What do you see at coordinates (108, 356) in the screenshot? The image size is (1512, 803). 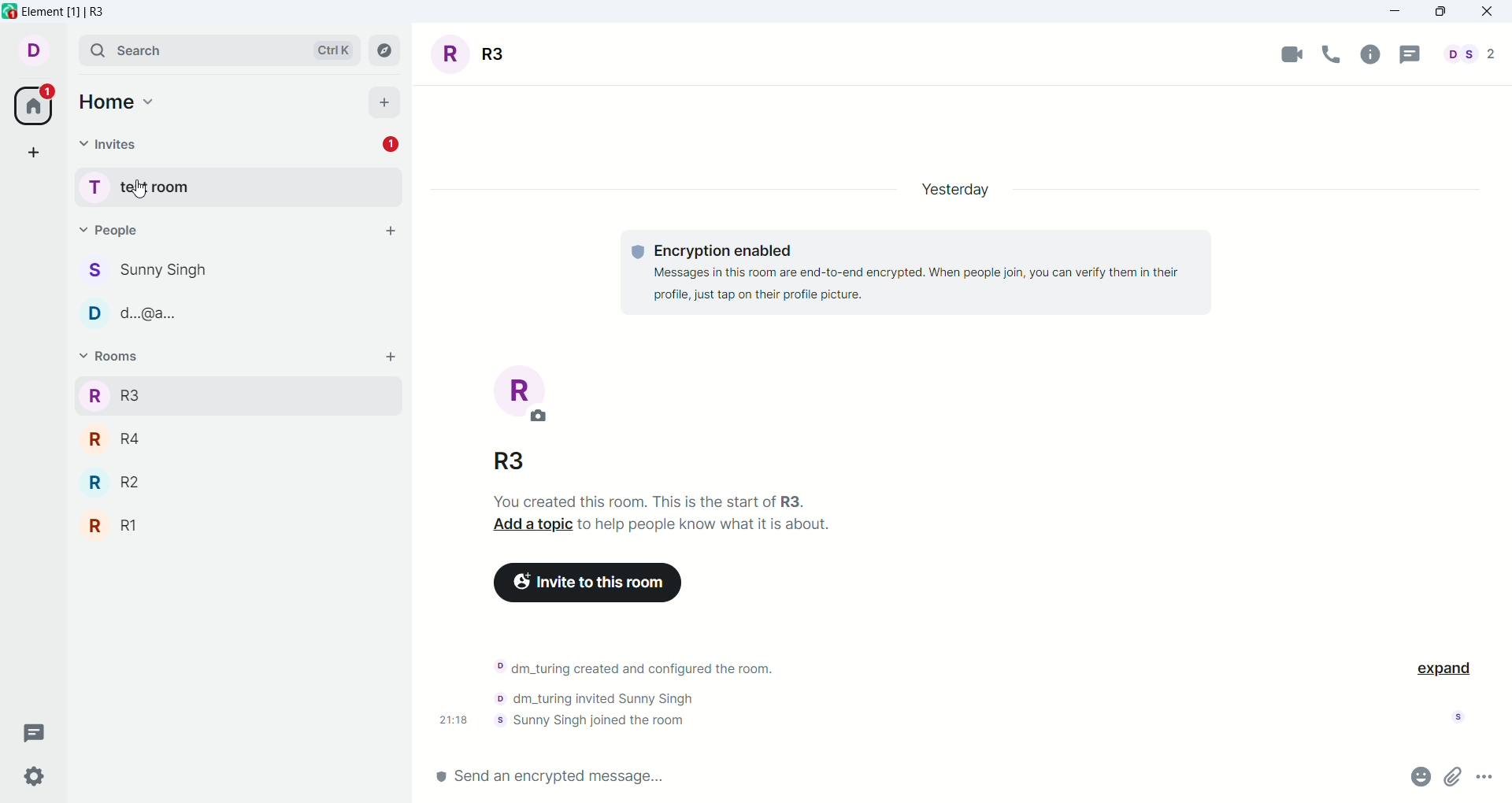 I see `rooms` at bounding box center [108, 356].